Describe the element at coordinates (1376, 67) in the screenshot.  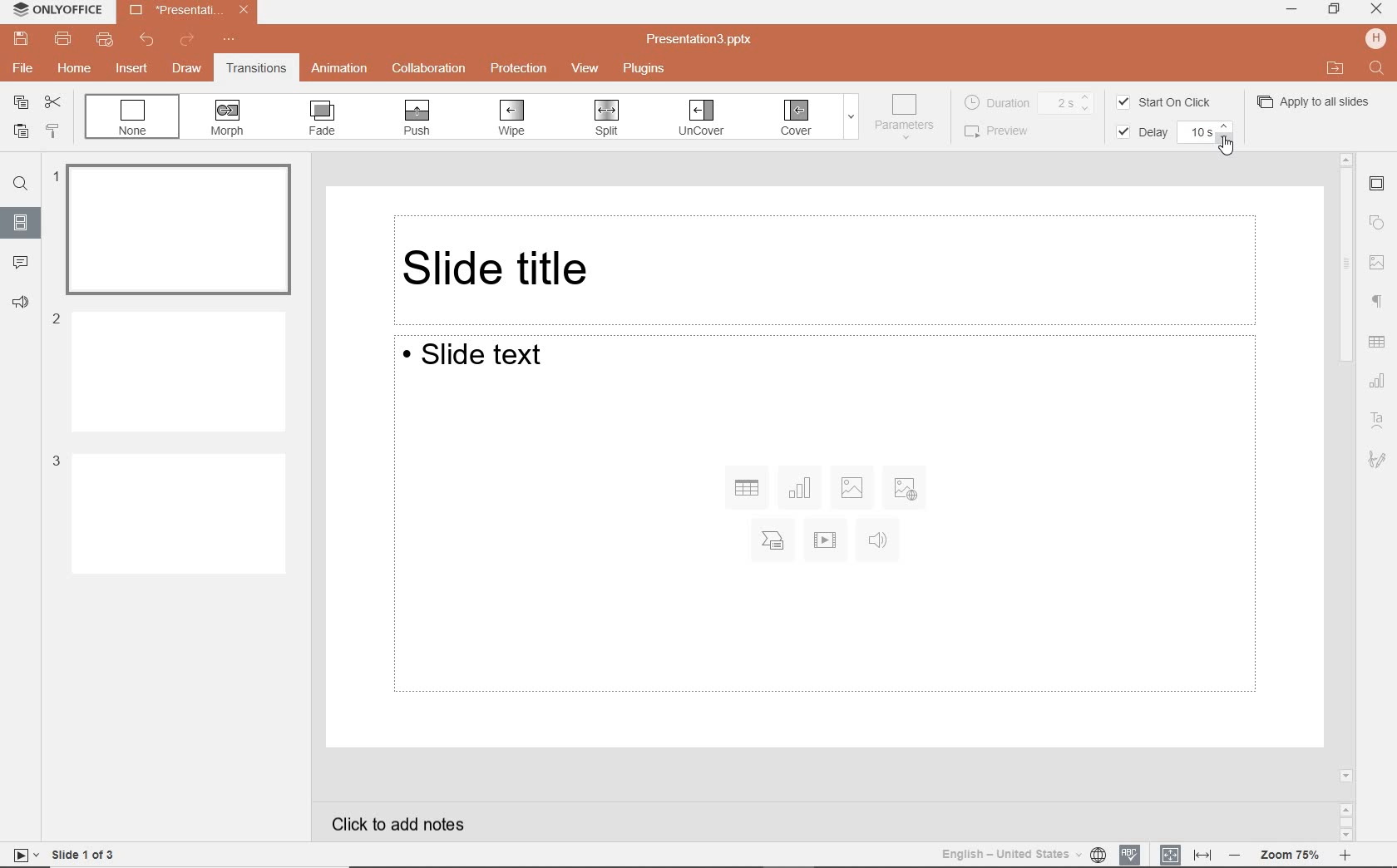
I see `FIND` at that location.